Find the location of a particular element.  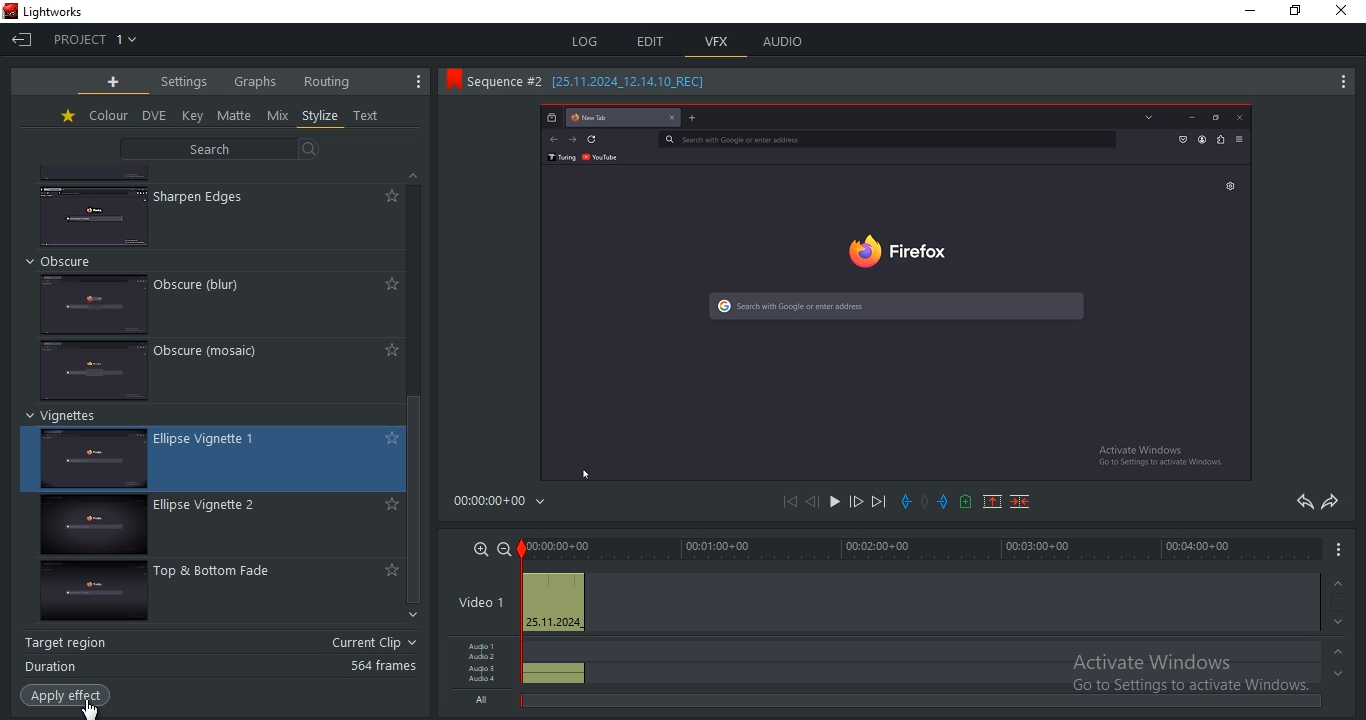

Audio 3 is located at coordinates (484, 670).